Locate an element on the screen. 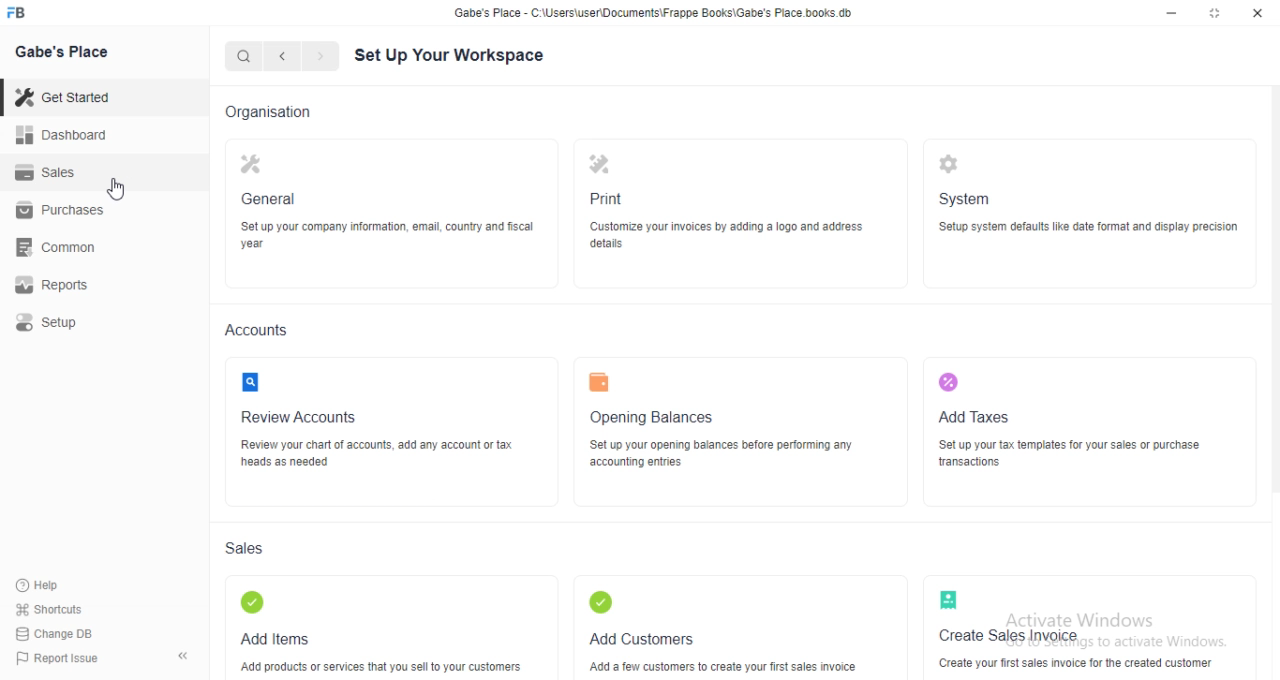 This screenshot has width=1280, height=680. Create Sales Invoice is located at coordinates (1009, 611).